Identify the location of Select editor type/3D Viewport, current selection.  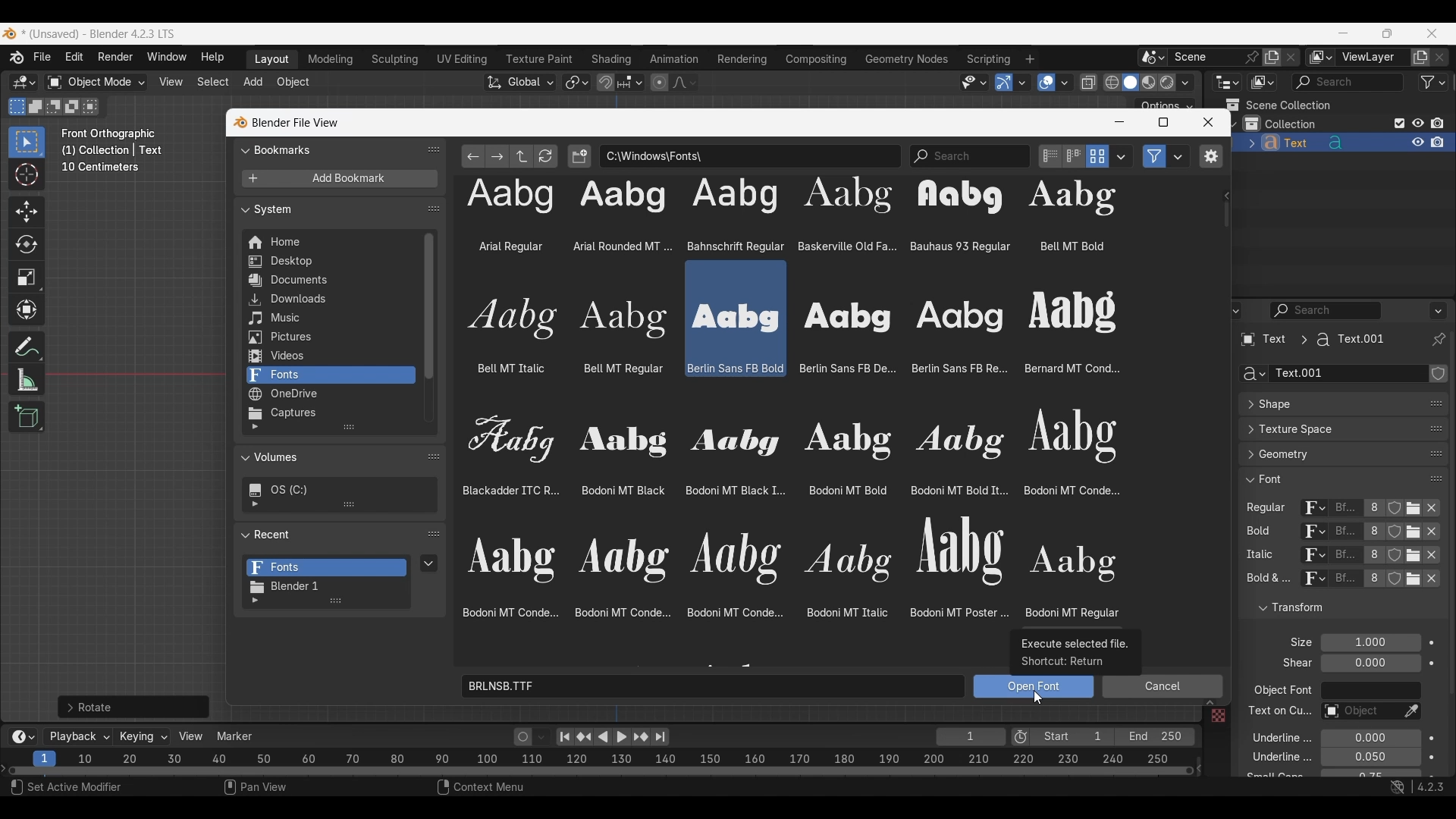
(24, 82).